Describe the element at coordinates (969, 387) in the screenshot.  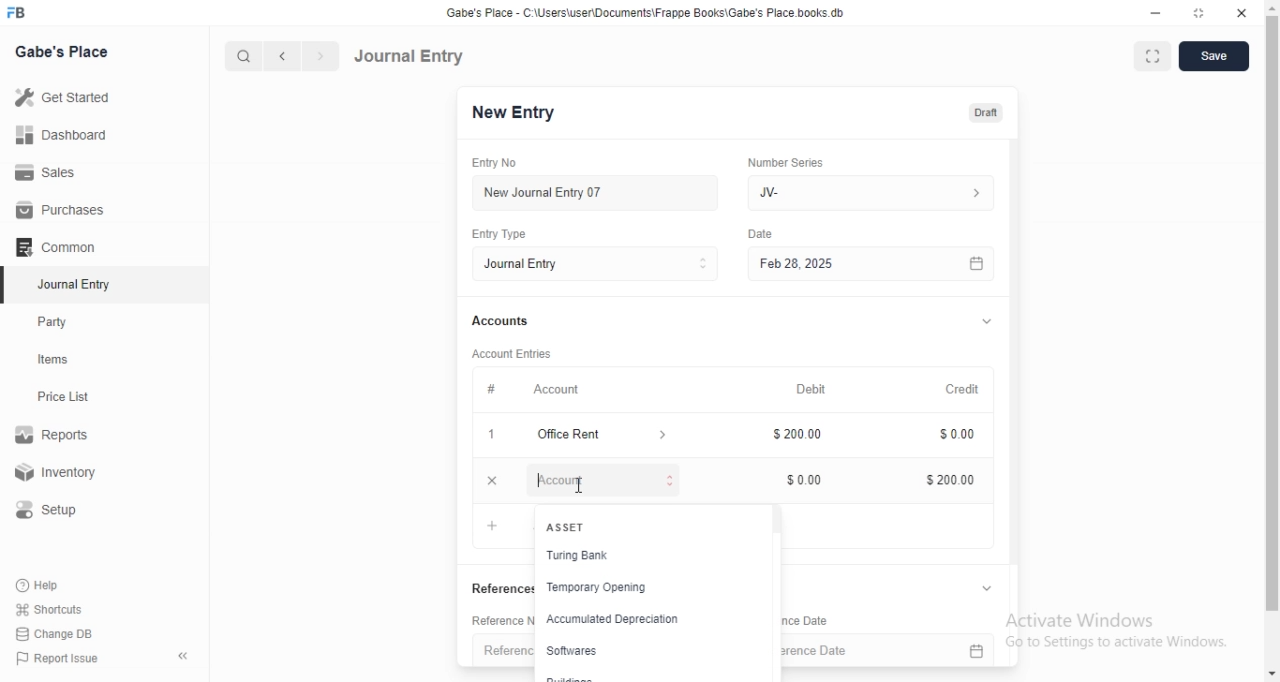
I see `Credit` at that location.